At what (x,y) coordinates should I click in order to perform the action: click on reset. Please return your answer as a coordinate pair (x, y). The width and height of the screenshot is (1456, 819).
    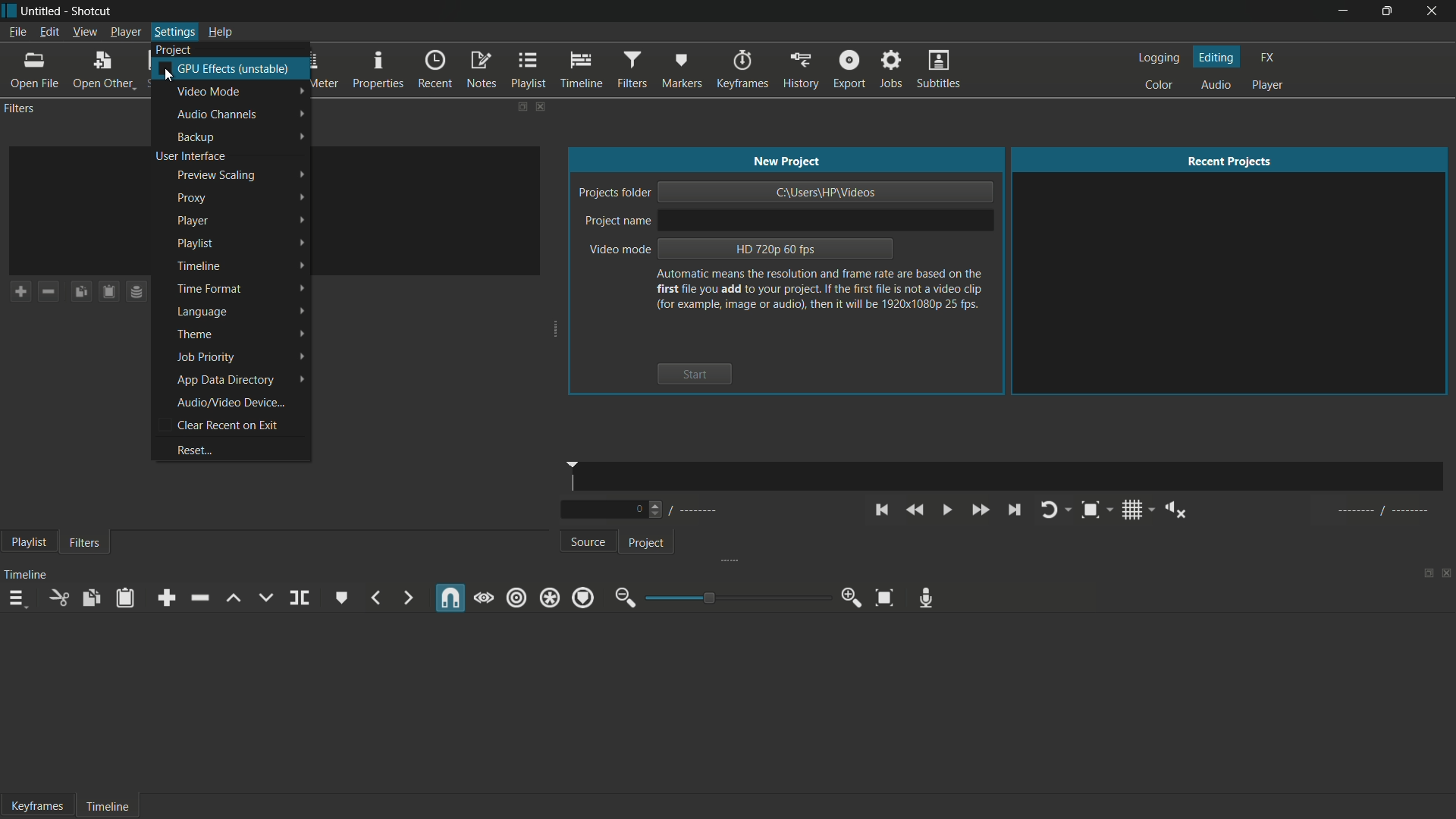
    Looking at the image, I should click on (194, 450).